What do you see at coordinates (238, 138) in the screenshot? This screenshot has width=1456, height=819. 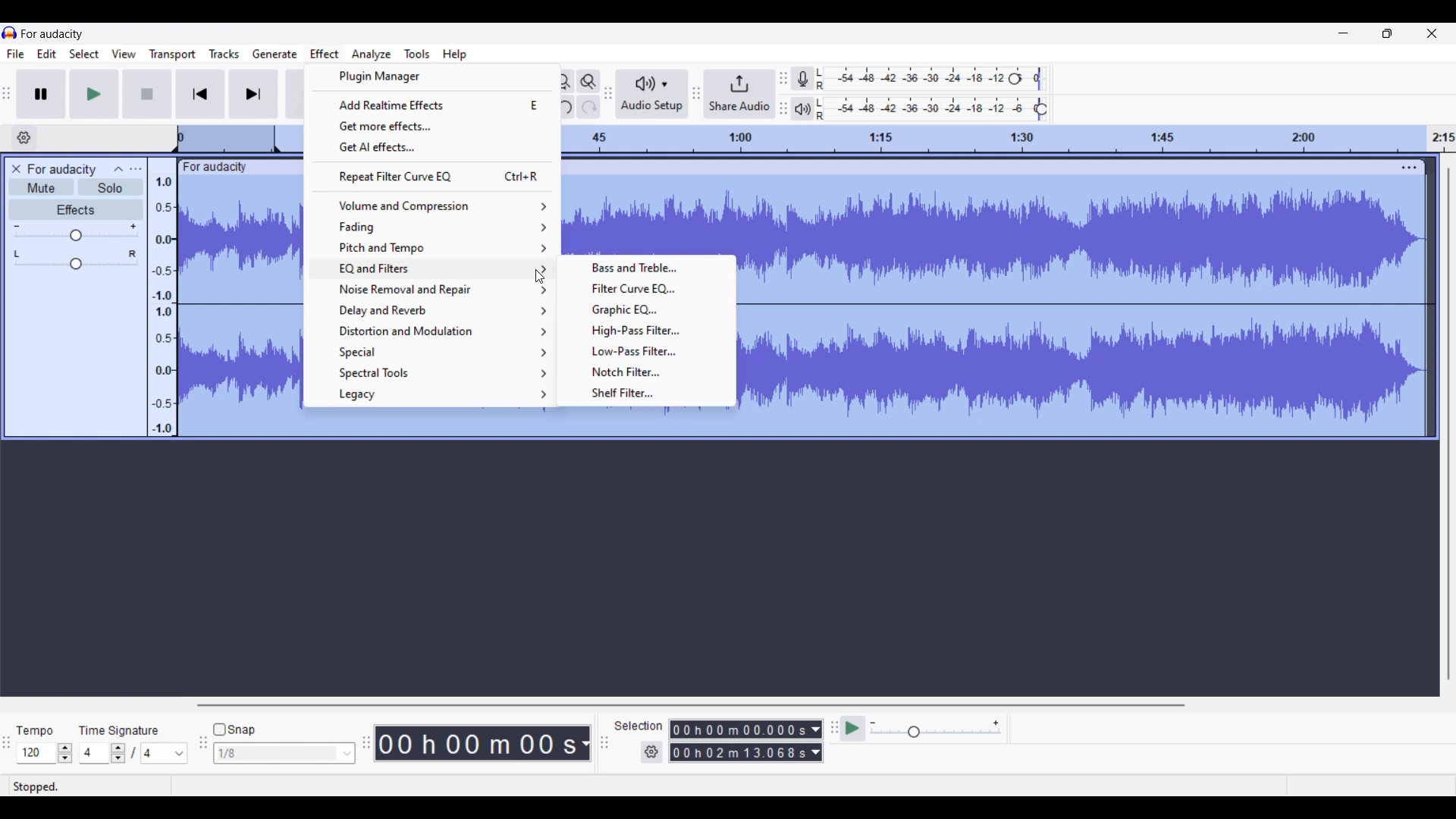 I see `Scale to track length of audio` at bounding box center [238, 138].